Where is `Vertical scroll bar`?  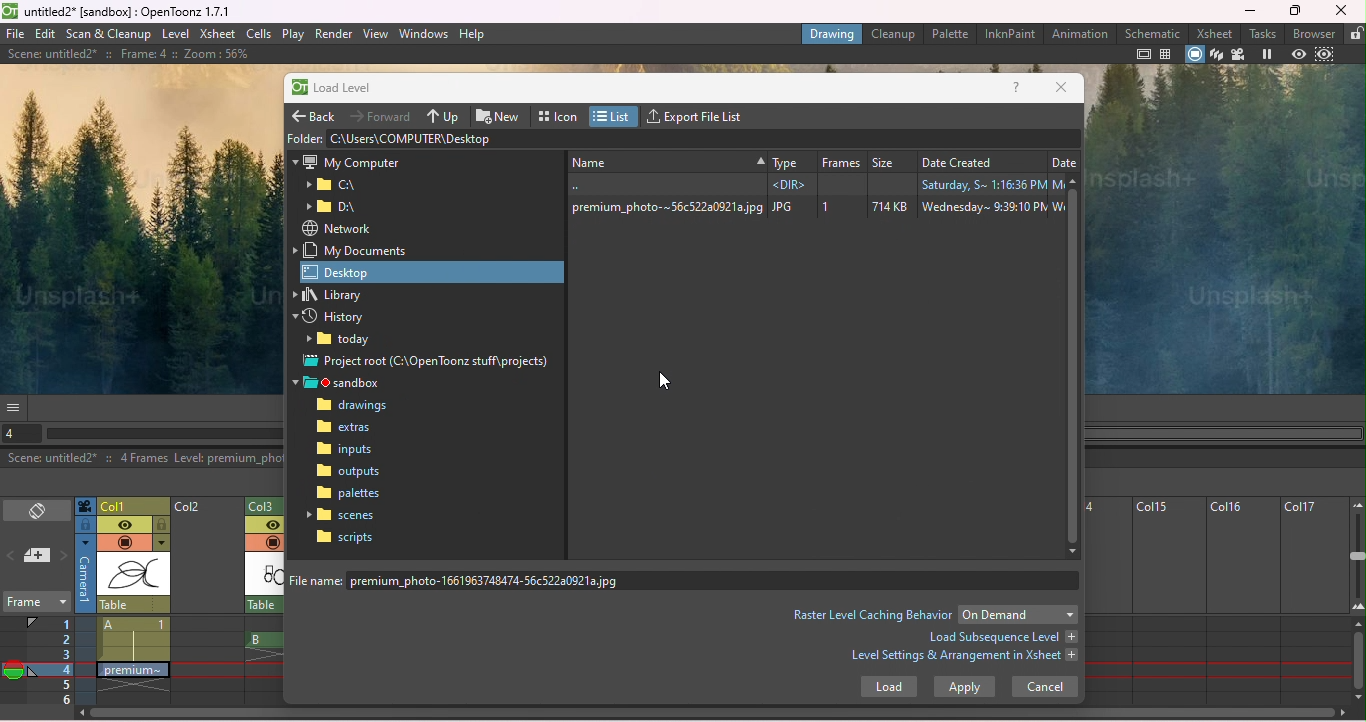 Vertical scroll bar is located at coordinates (1358, 662).